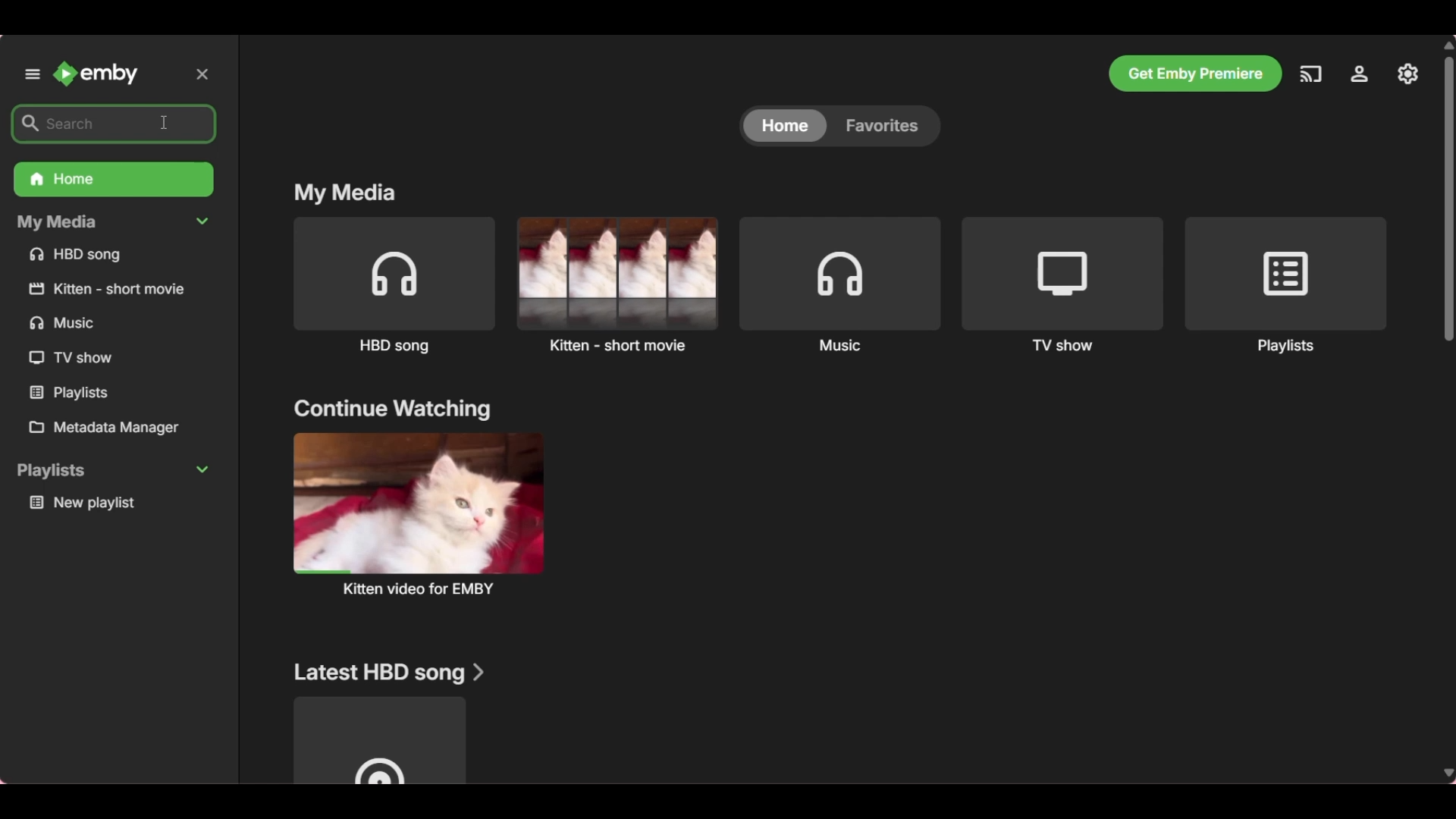  What do you see at coordinates (118, 504) in the screenshot?
I see `New Playlist` at bounding box center [118, 504].